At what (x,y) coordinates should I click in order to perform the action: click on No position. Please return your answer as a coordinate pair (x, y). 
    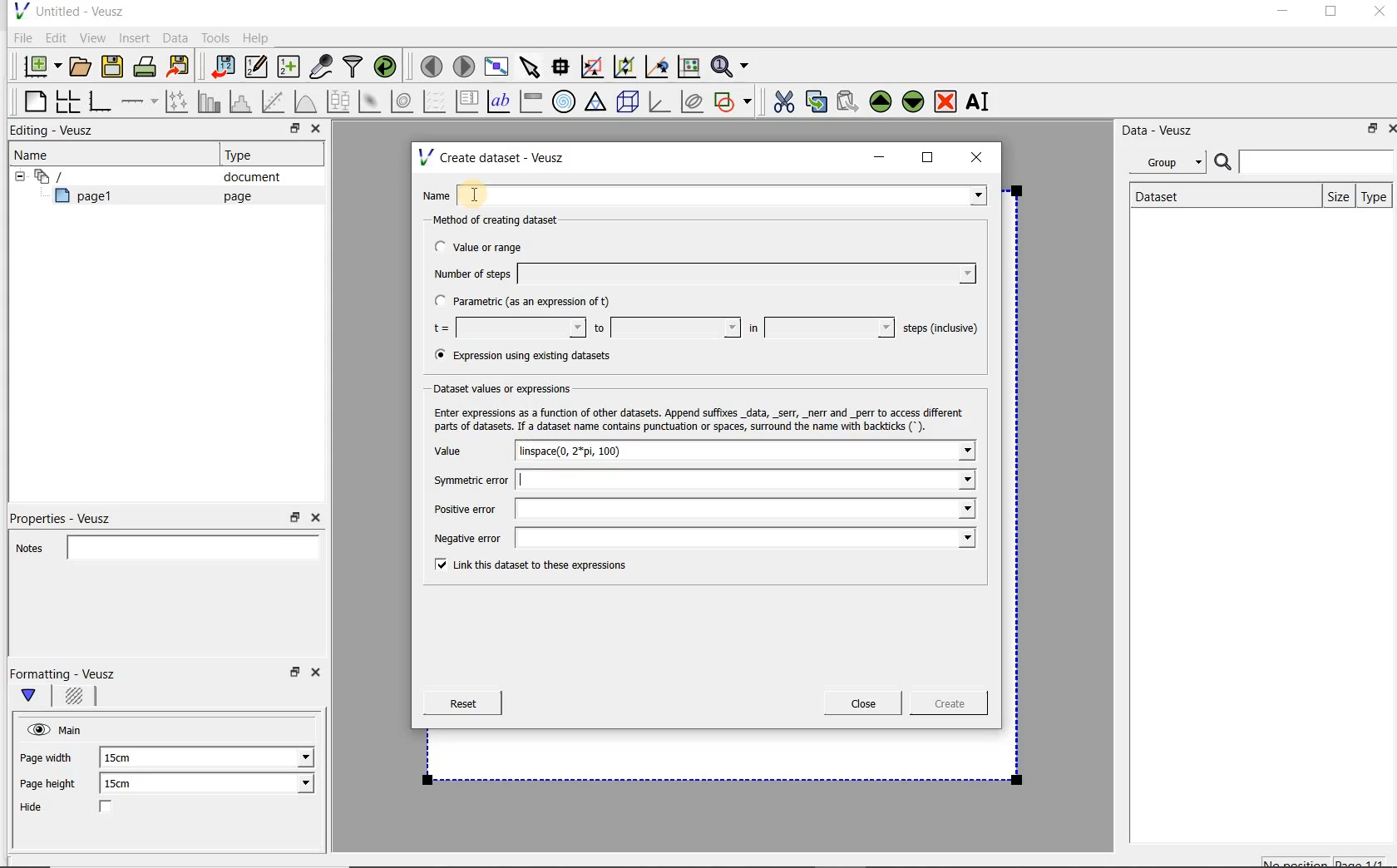
    Looking at the image, I should click on (1297, 861).